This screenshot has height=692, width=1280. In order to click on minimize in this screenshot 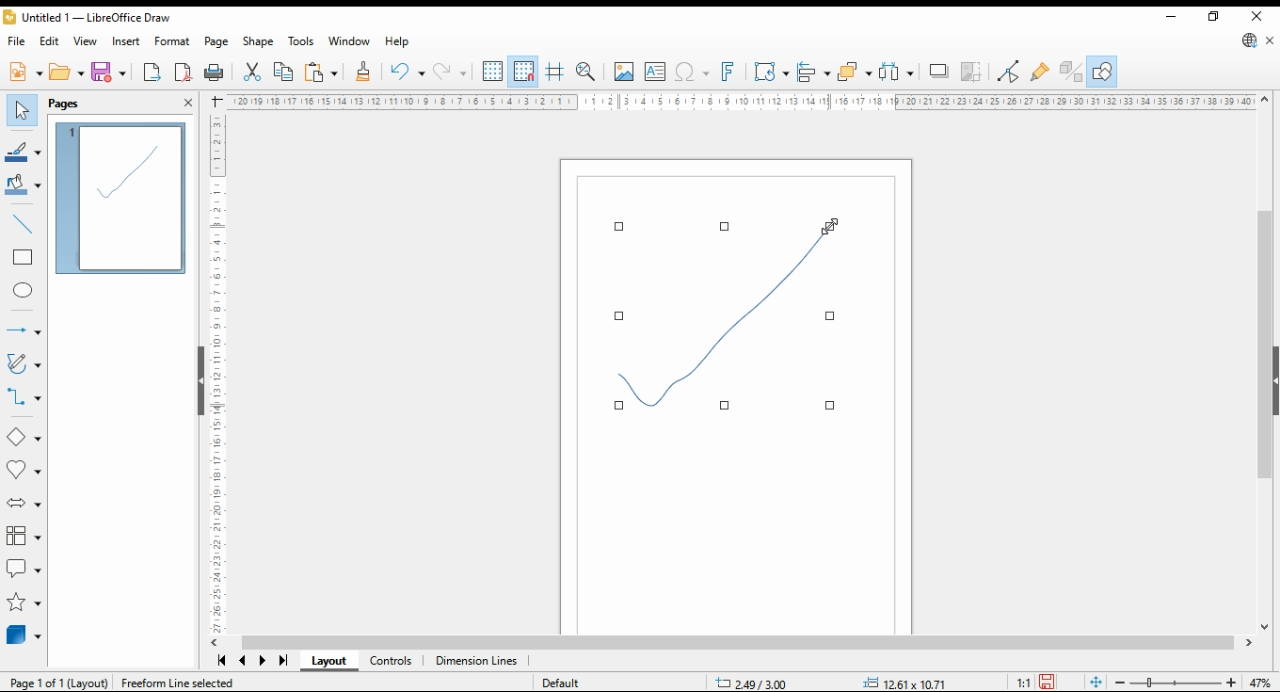, I will do `click(1170, 14)`.